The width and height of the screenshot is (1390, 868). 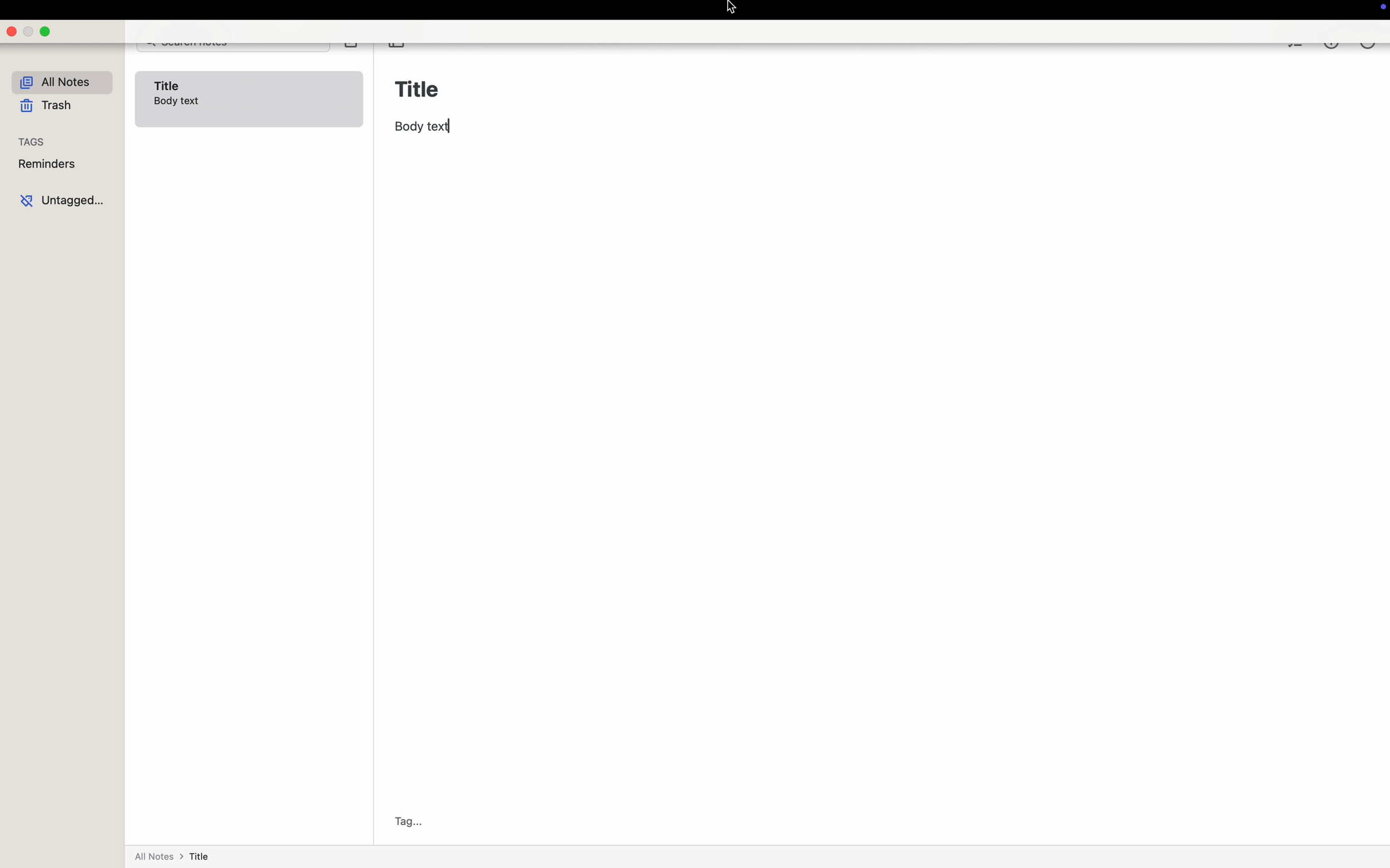 What do you see at coordinates (412, 821) in the screenshot?
I see `Tag...` at bounding box center [412, 821].